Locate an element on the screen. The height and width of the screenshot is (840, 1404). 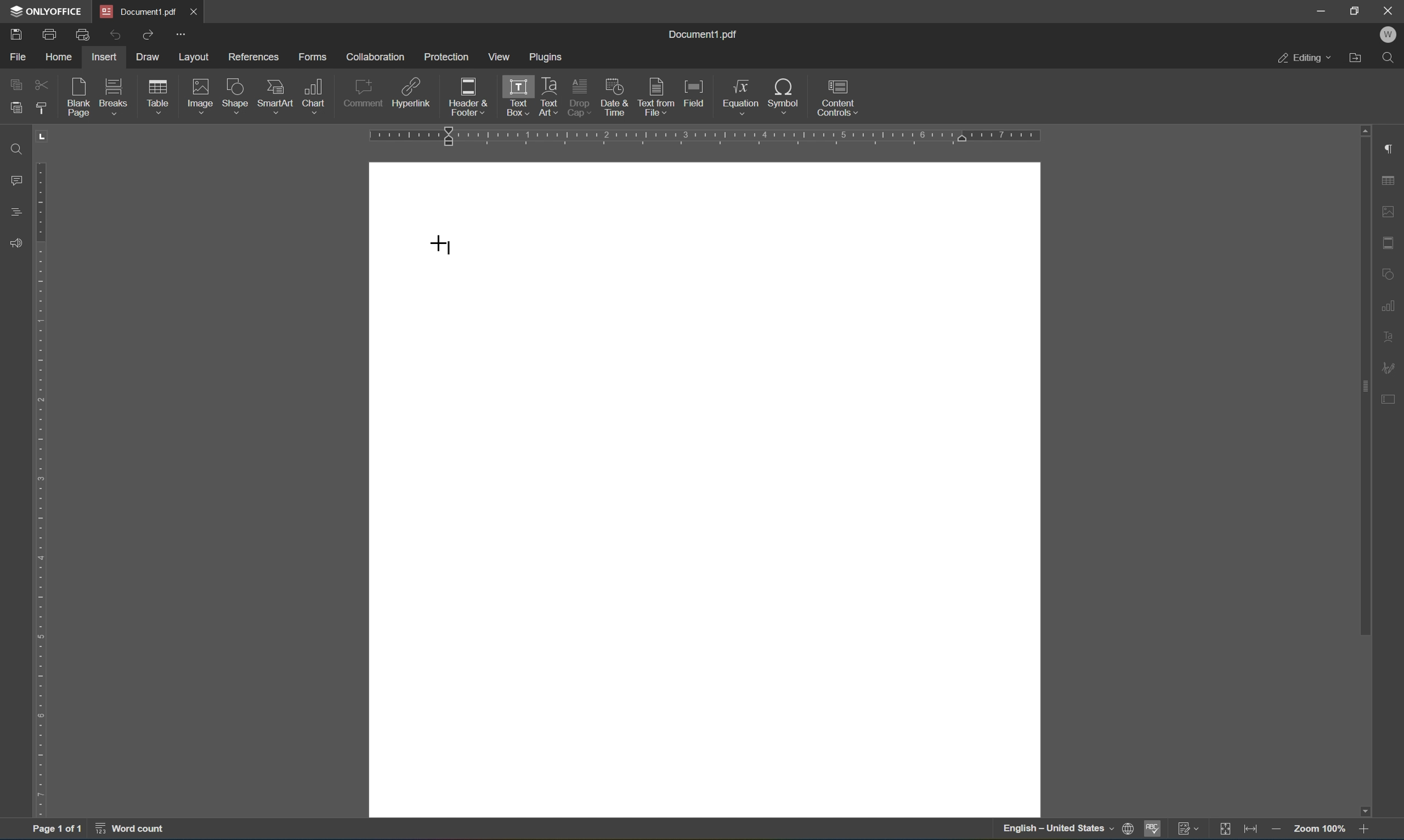
Restore down is located at coordinates (1355, 11).